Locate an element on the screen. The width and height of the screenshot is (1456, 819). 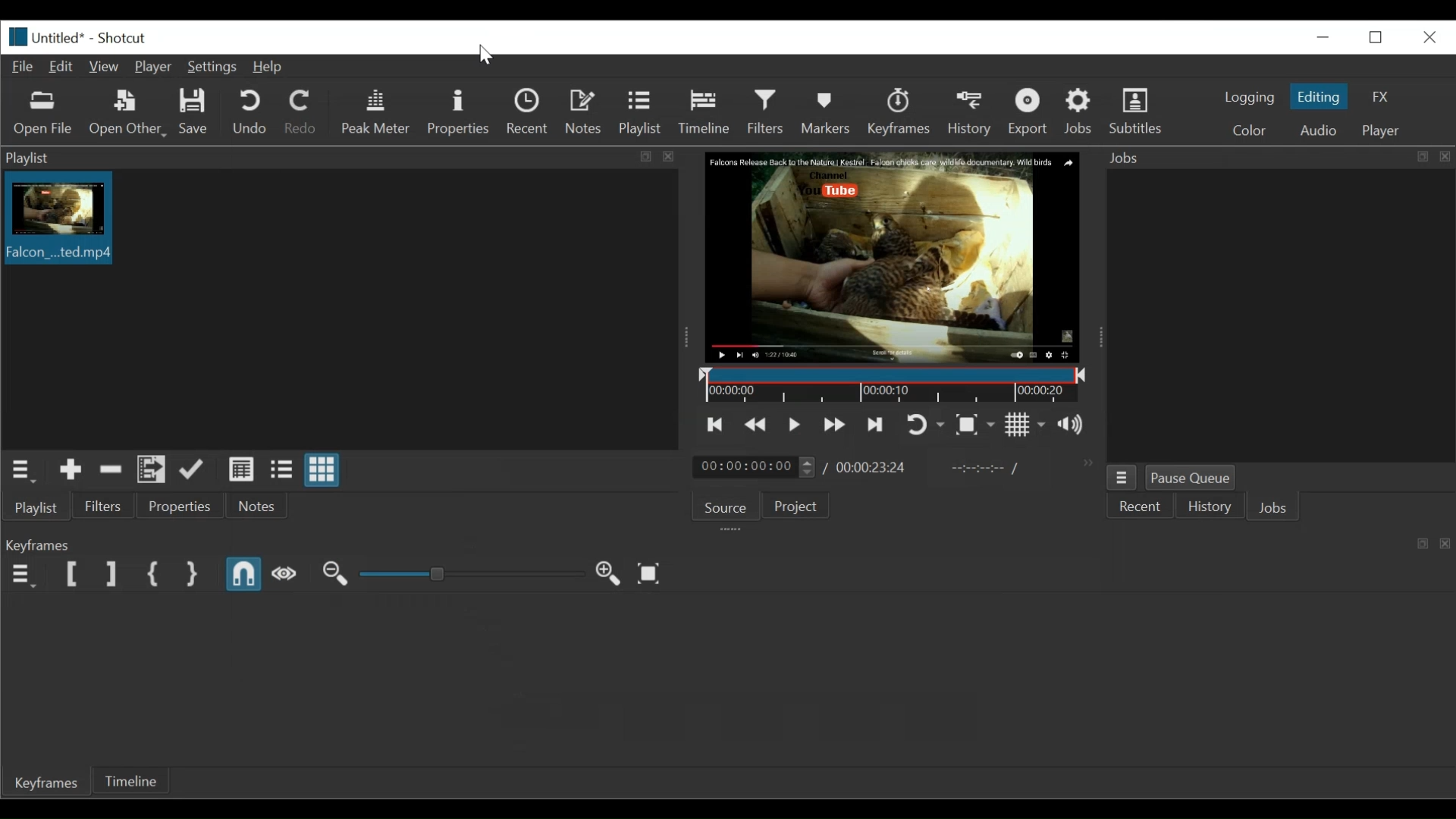
00:00:00:00 is located at coordinates (754, 466).